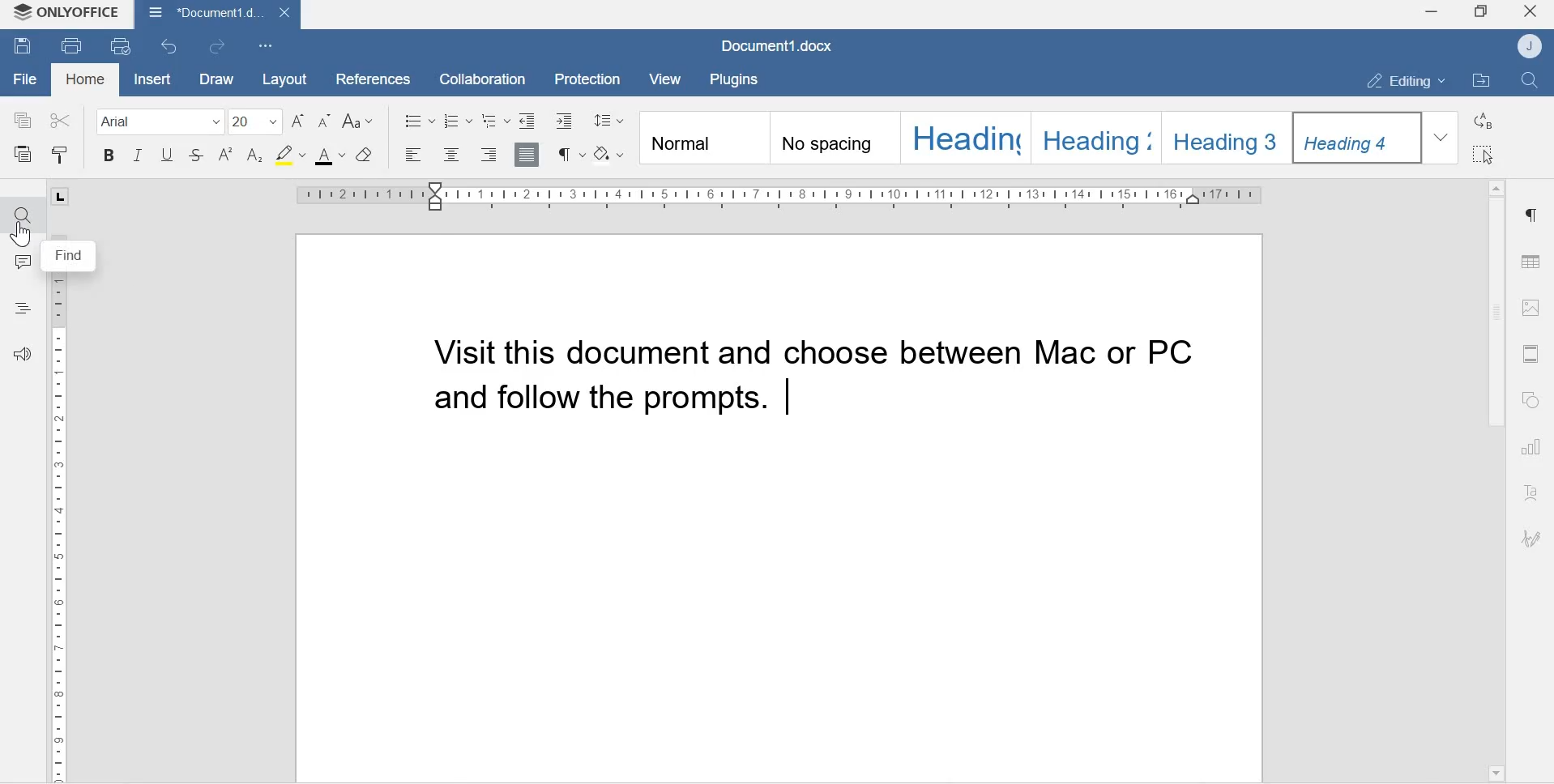 The height and width of the screenshot is (784, 1554). I want to click on Strikethrough, so click(197, 157).